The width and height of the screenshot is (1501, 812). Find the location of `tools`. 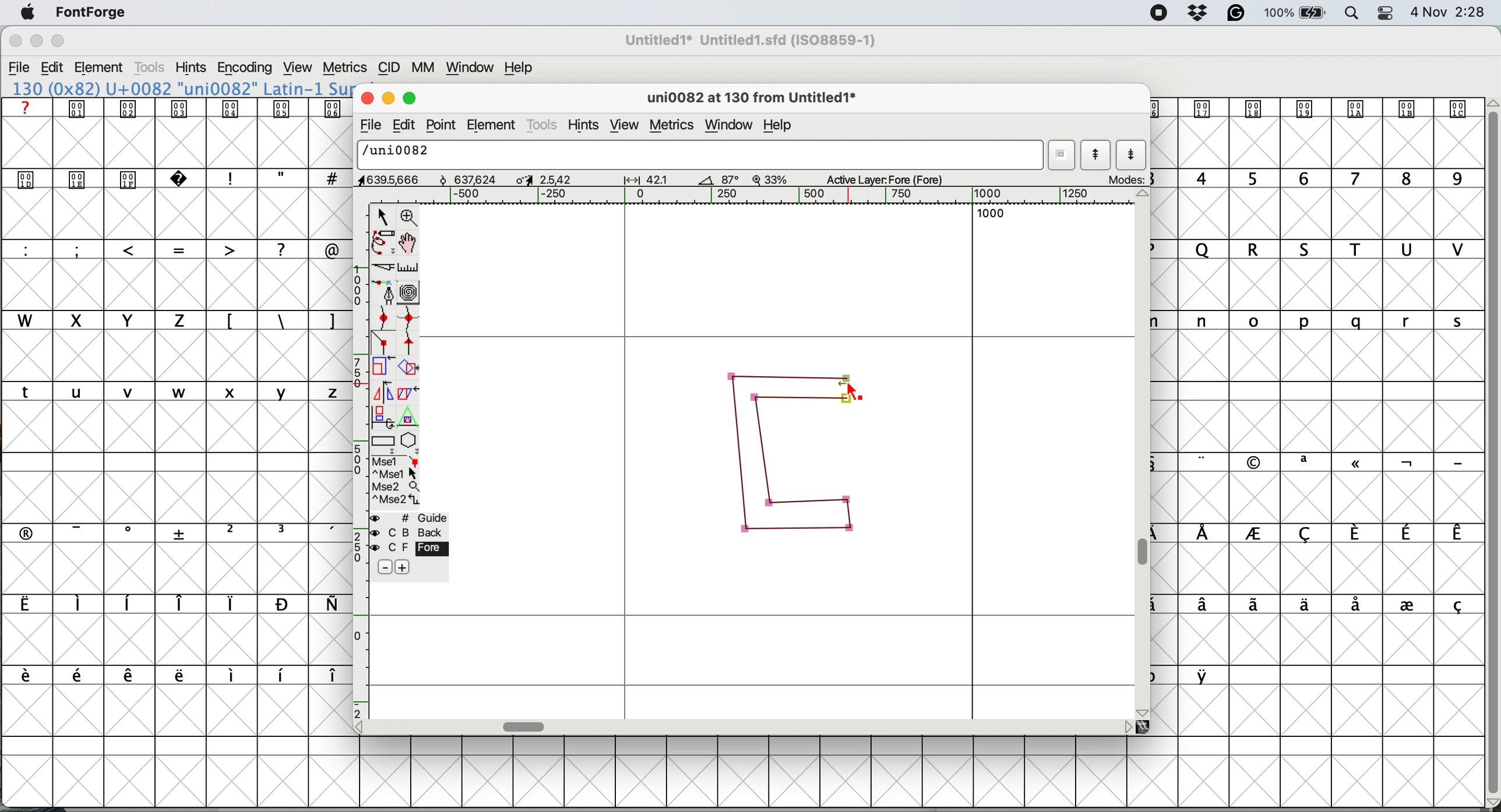

tools is located at coordinates (543, 126).